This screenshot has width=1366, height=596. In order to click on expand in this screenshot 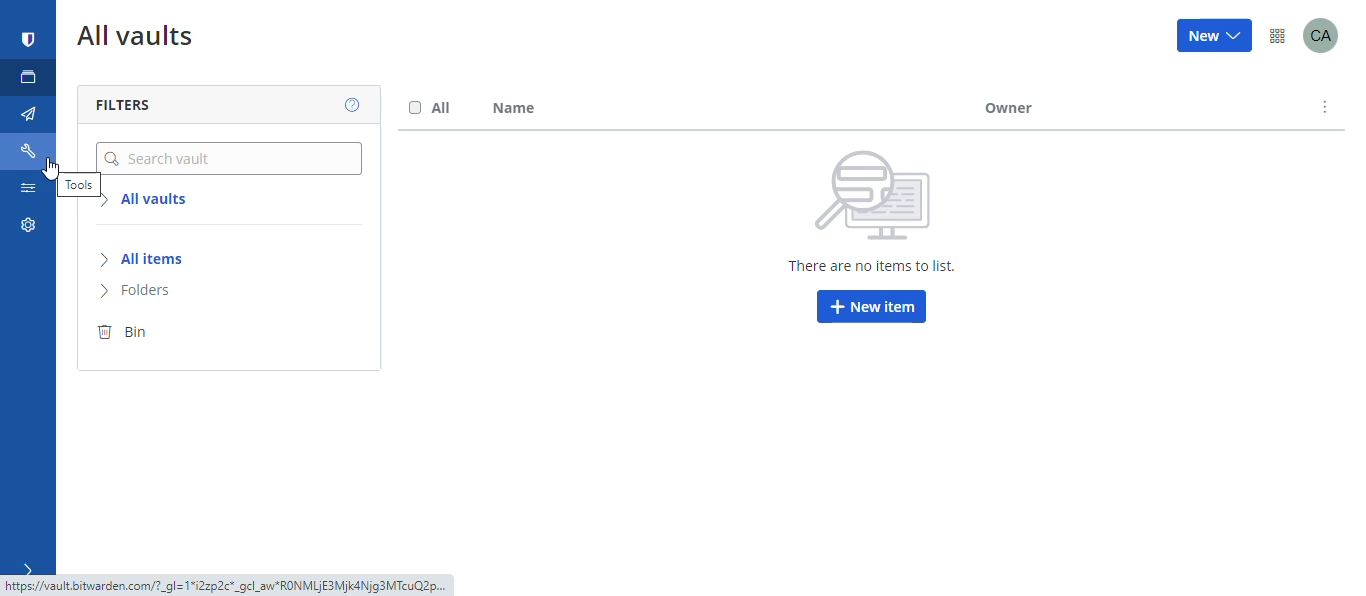, I will do `click(25, 568)`.